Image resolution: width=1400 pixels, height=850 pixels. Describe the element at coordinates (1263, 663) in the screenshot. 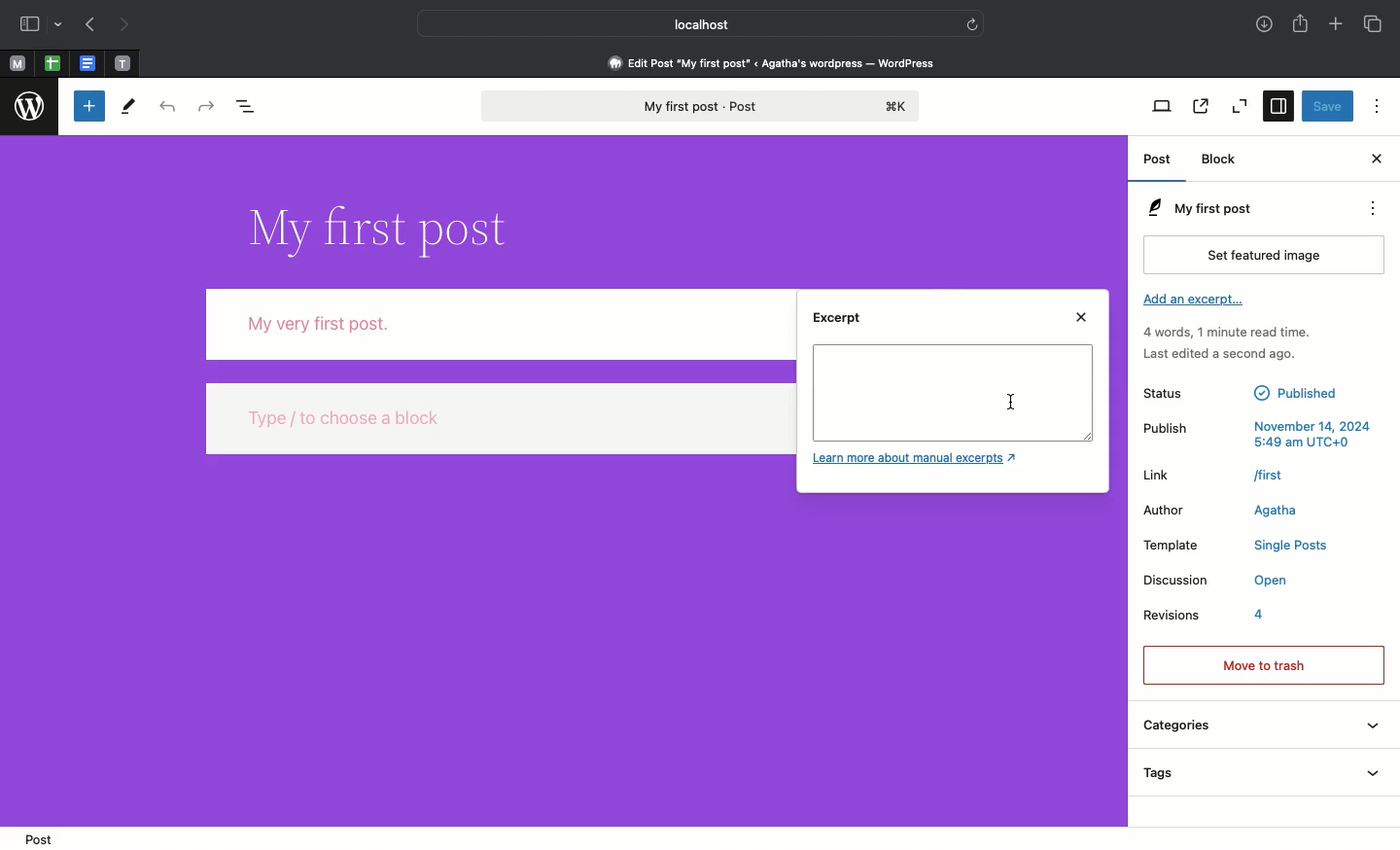

I see `Move to trash` at that location.